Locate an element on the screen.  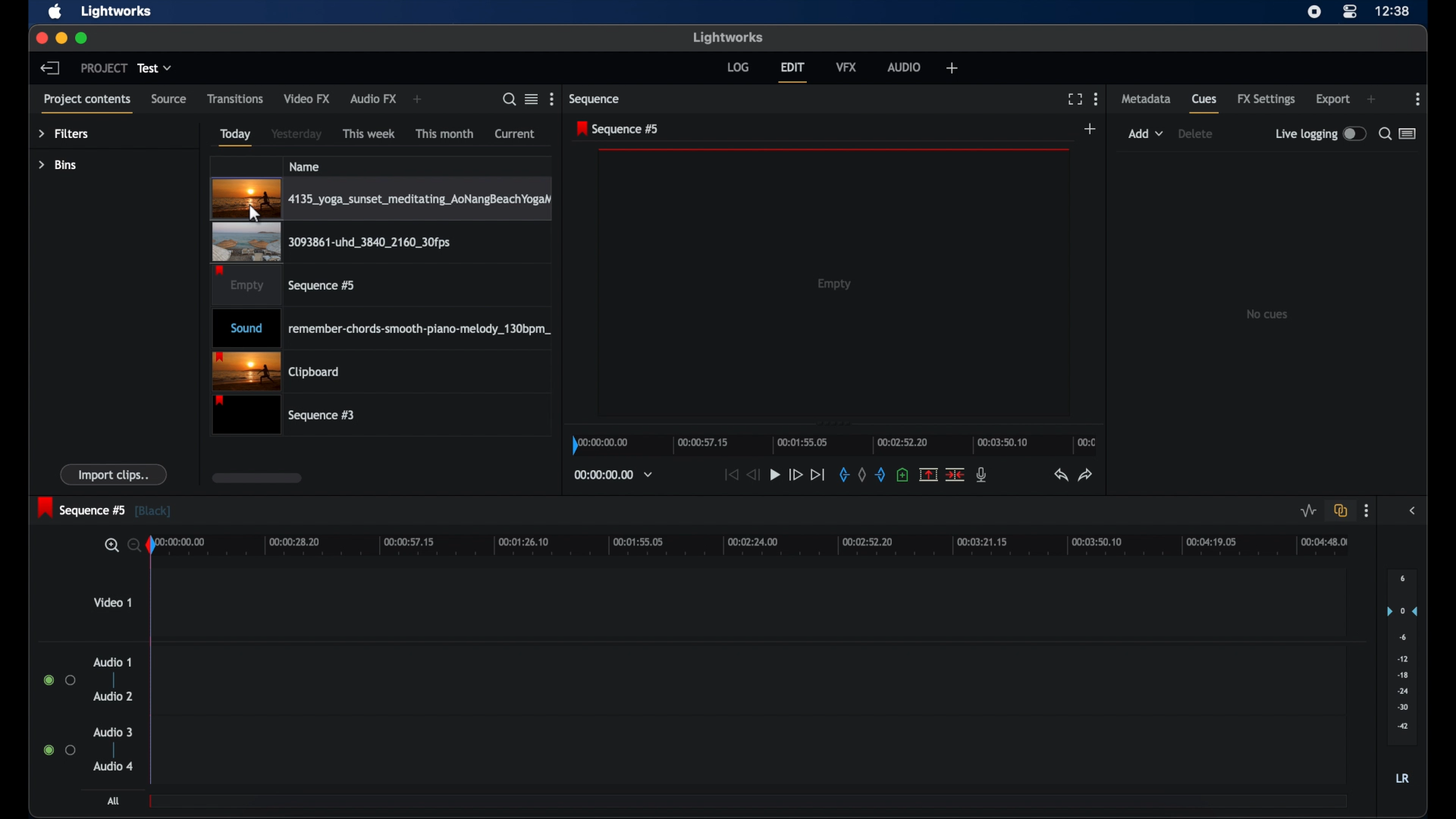
more options is located at coordinates (1097, 99).